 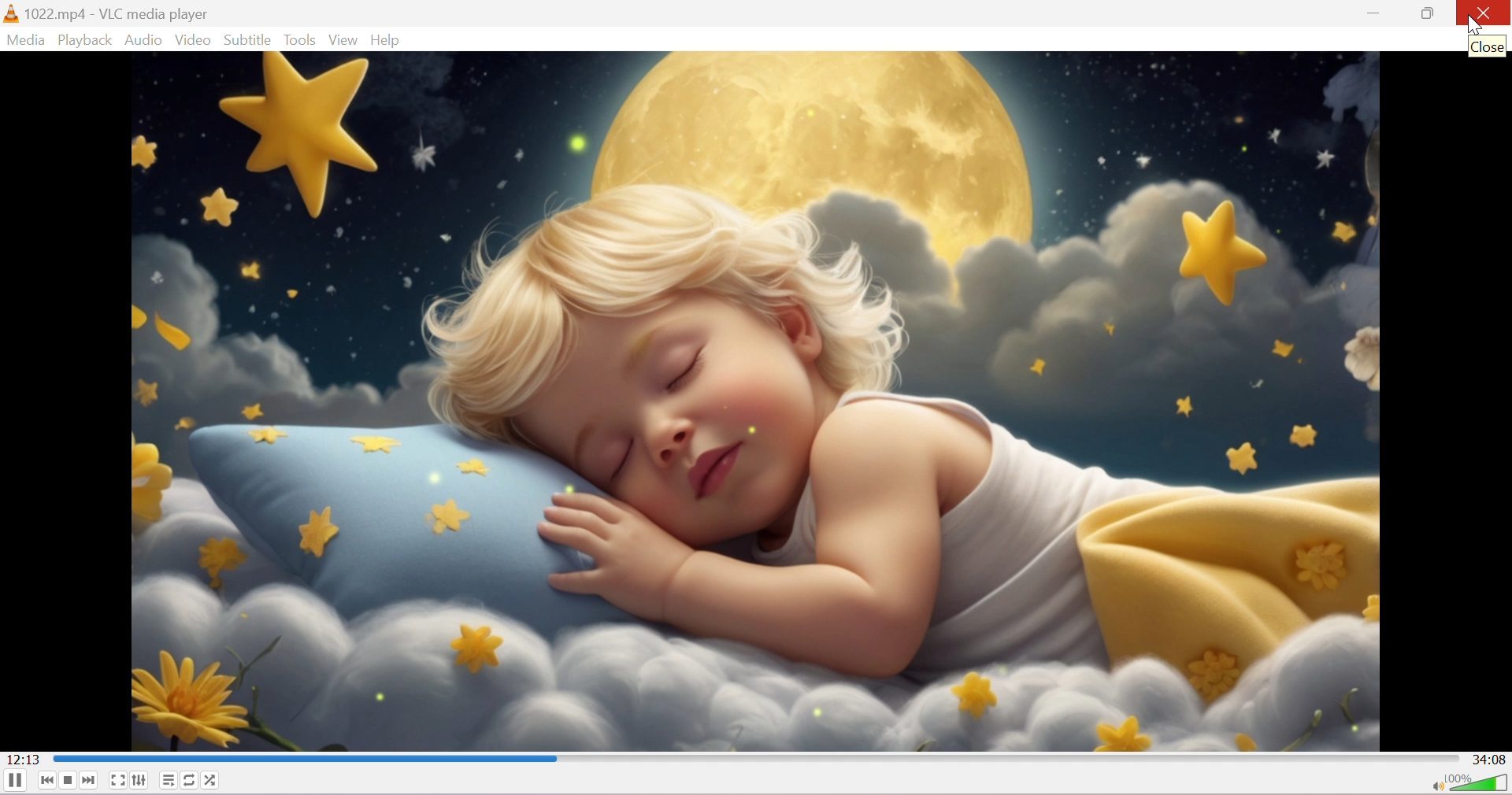 I want to click on View, so click(x=347, y=41).